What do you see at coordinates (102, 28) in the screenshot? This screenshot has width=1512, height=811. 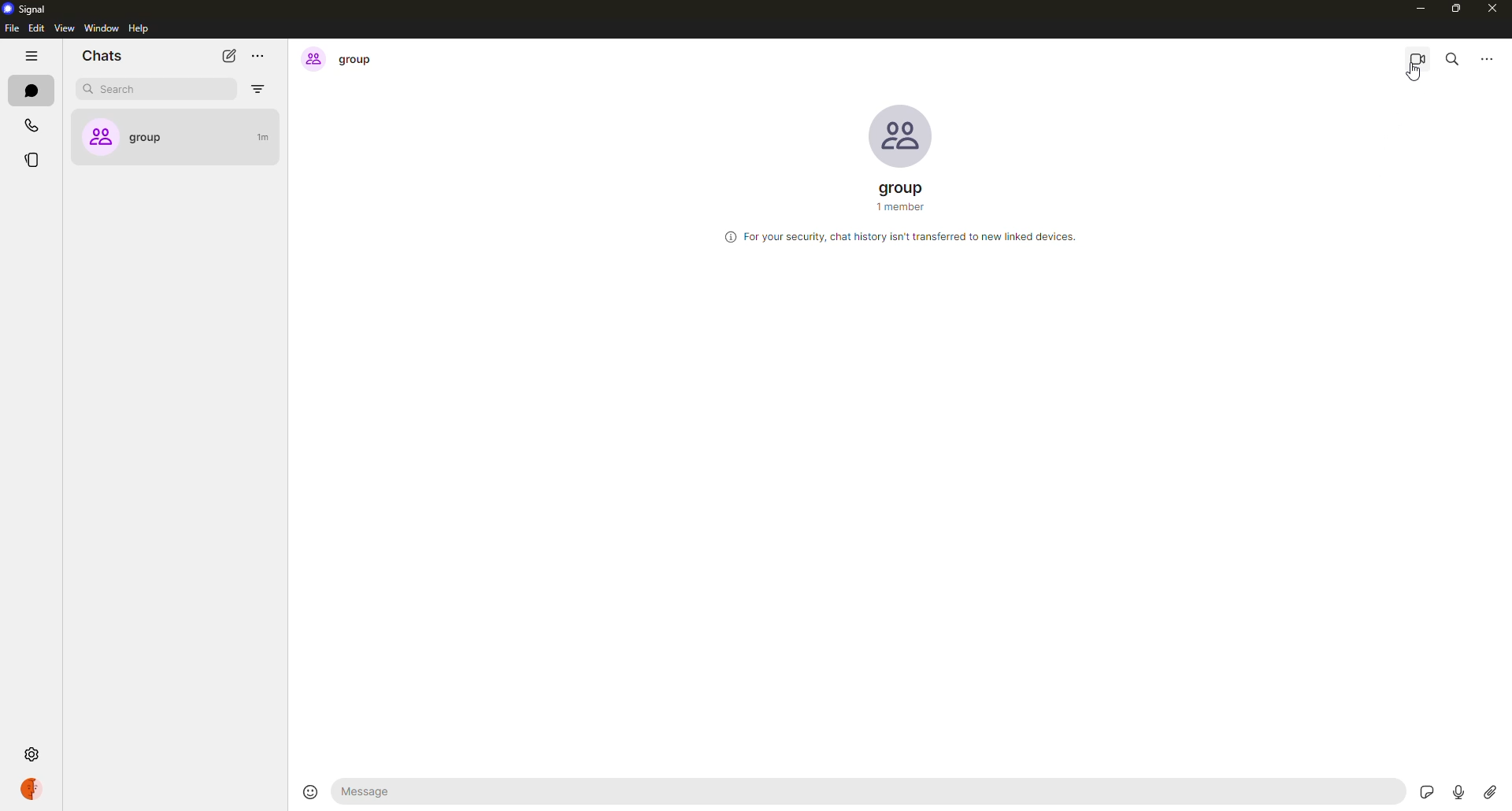 I see `window` at bounding box center [102, 28].